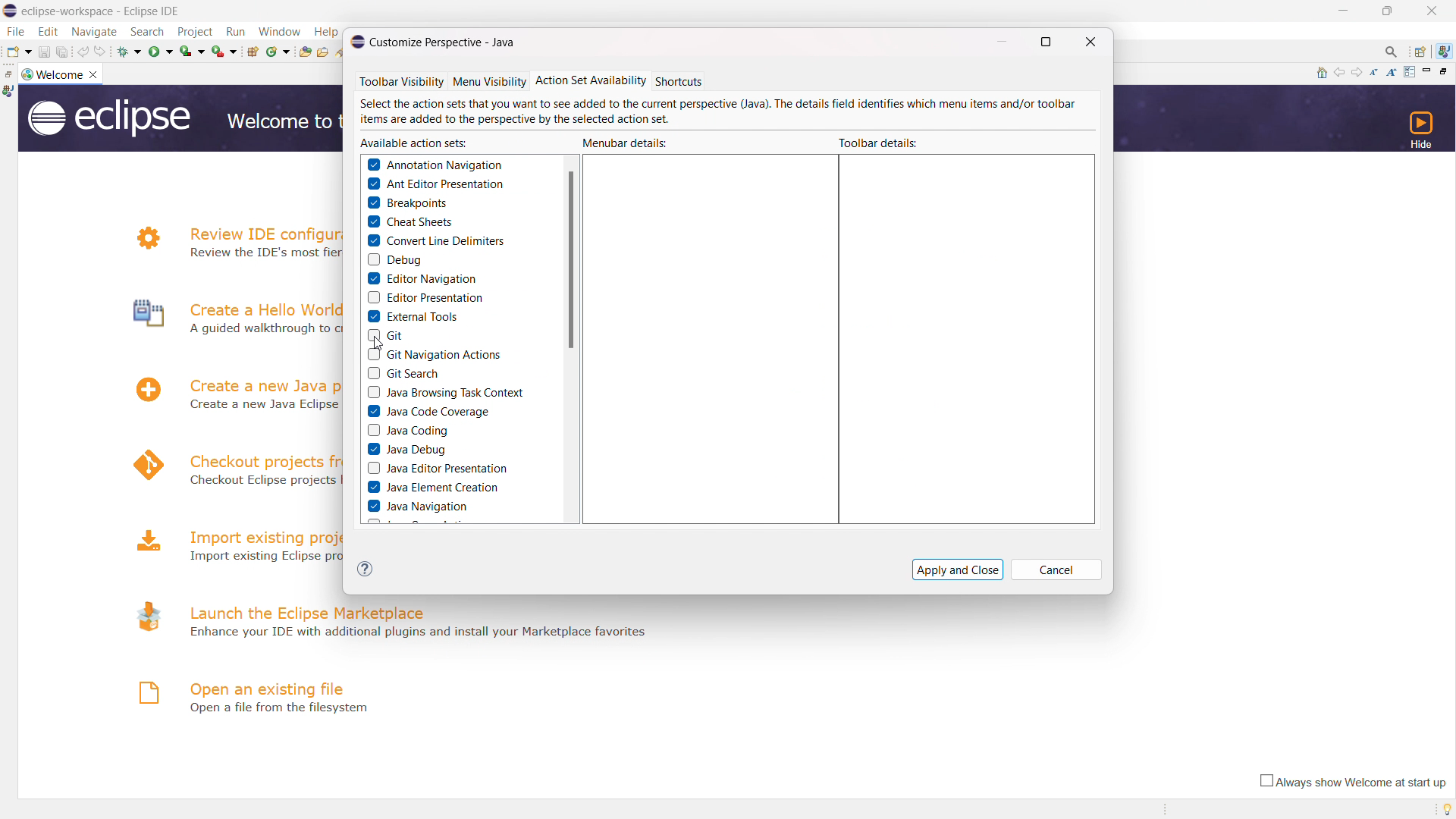  I want to click on java code coverage, so click(428, 411).